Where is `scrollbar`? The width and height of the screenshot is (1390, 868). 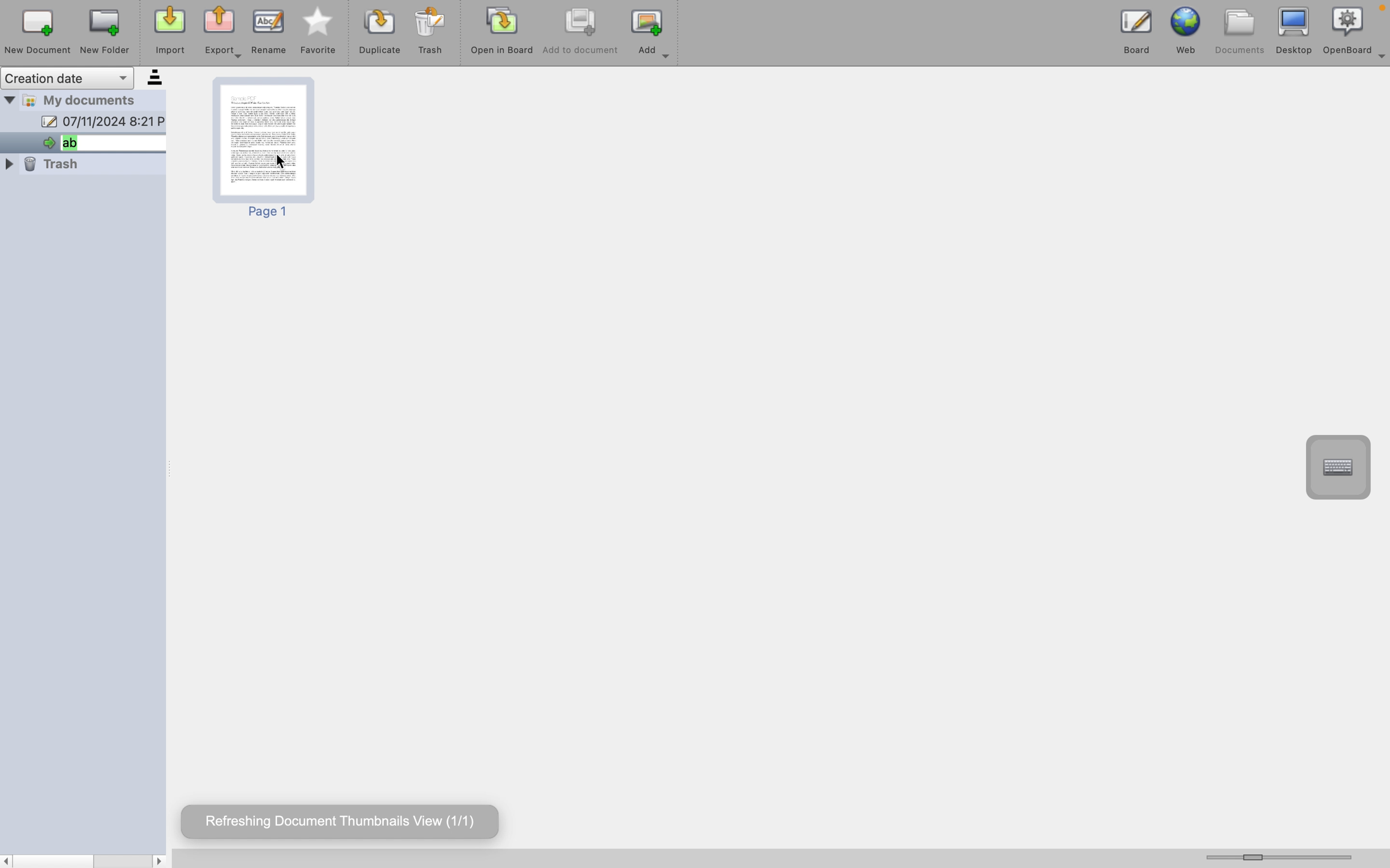 scrollbar is located at coordinates (85, 860).